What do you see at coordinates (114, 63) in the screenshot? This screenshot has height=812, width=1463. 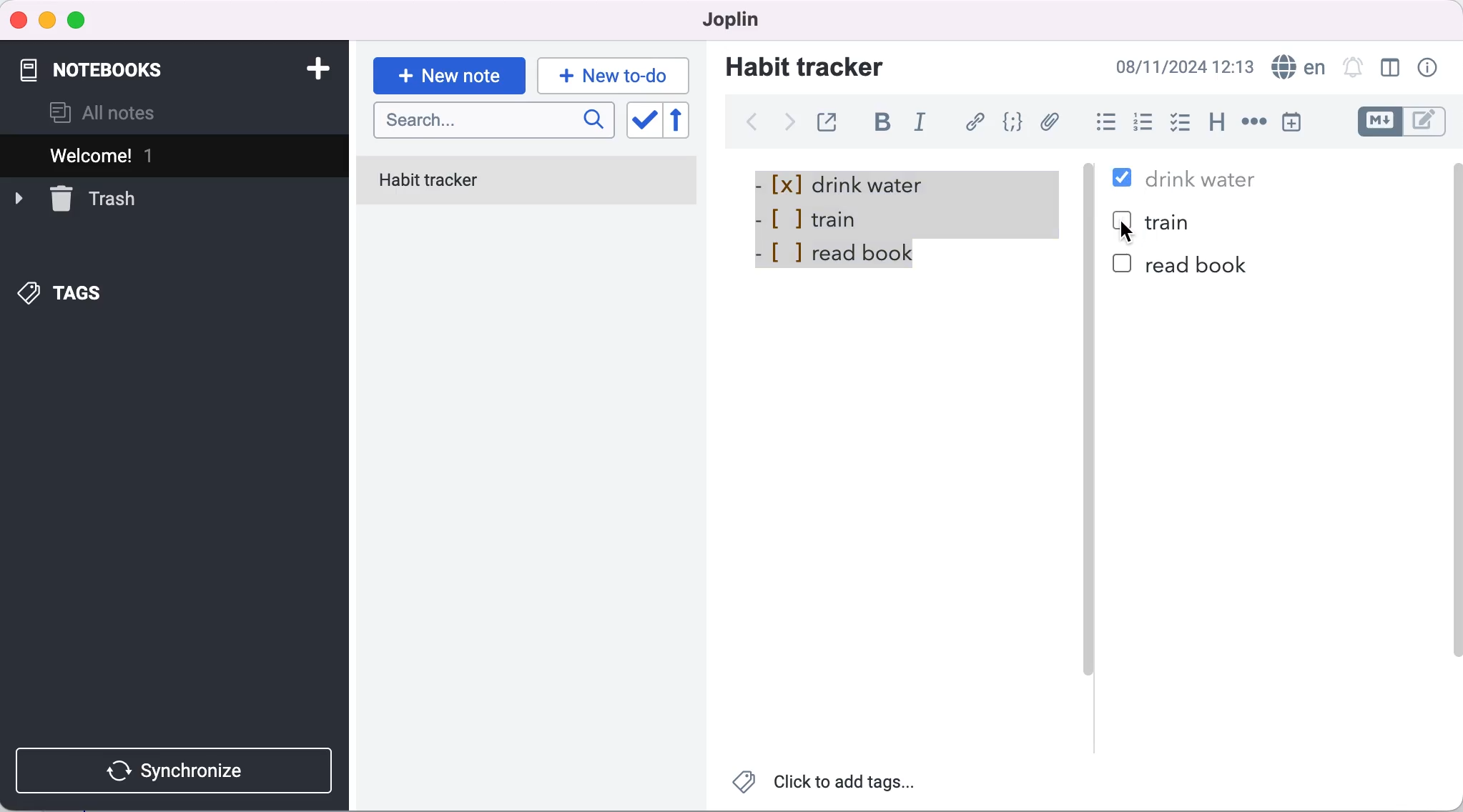 I see `notebooks` at bounding box center [114, 63].